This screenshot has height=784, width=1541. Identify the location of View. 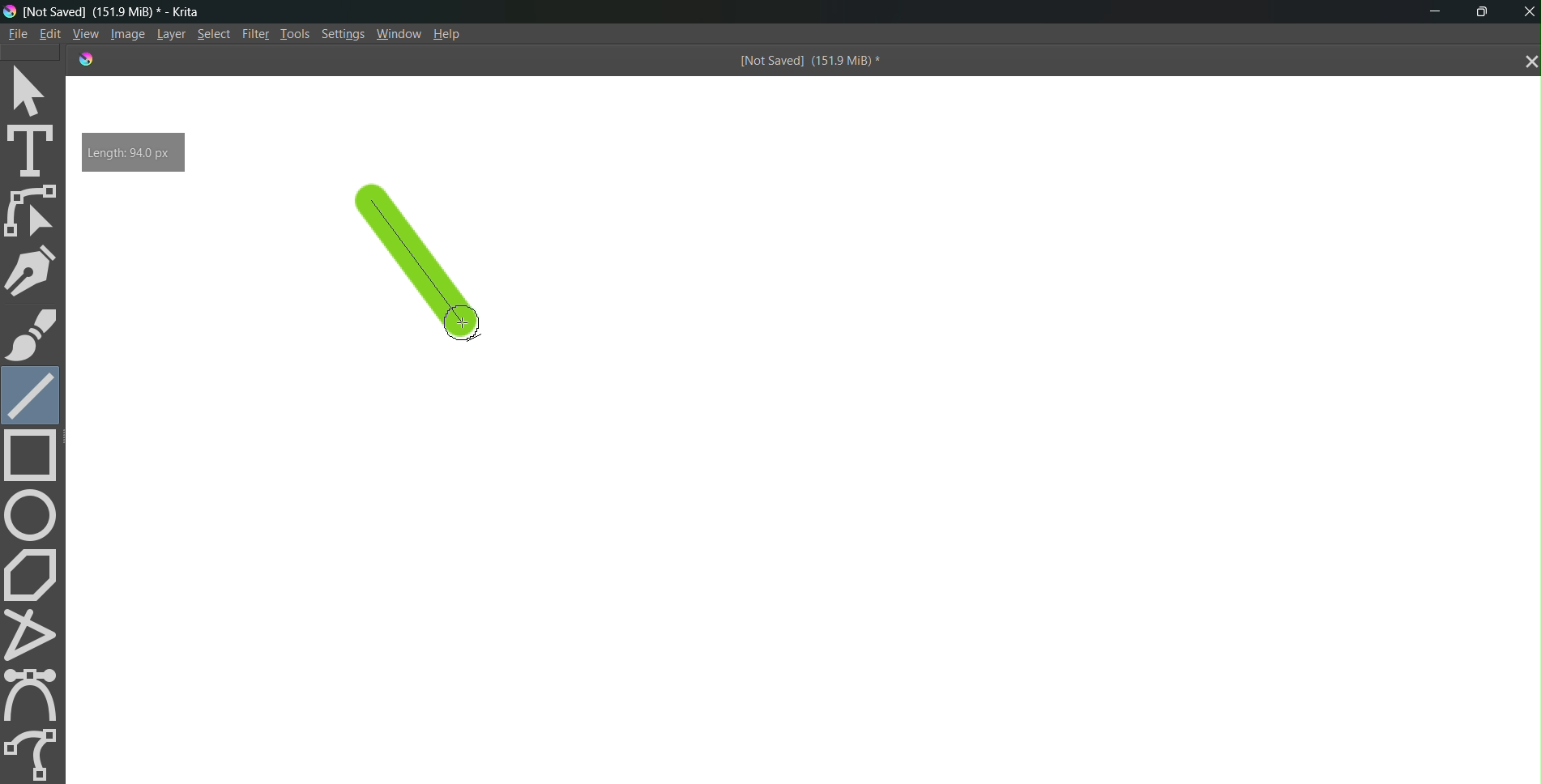
(83, 33).